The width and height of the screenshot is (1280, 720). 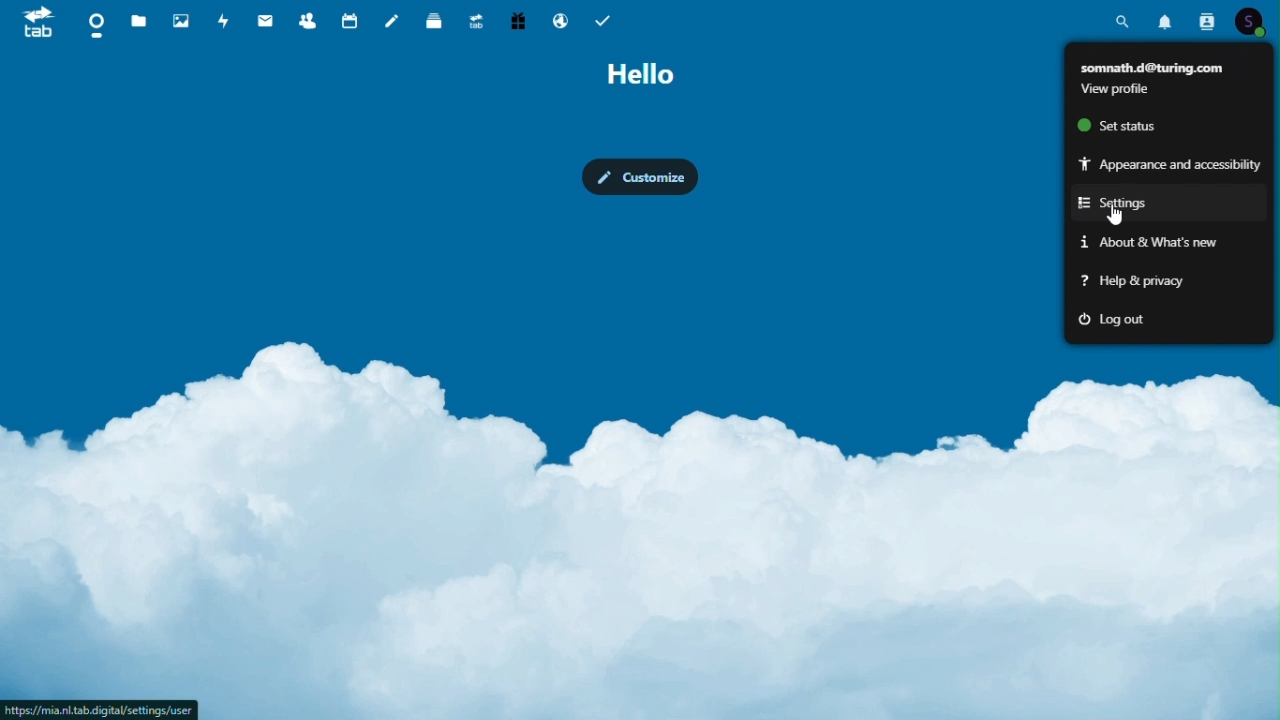 What do you see at coordinates (1166, 73) in the screenshot?
I see `Email and profile` at bounding box center [1166, 73].